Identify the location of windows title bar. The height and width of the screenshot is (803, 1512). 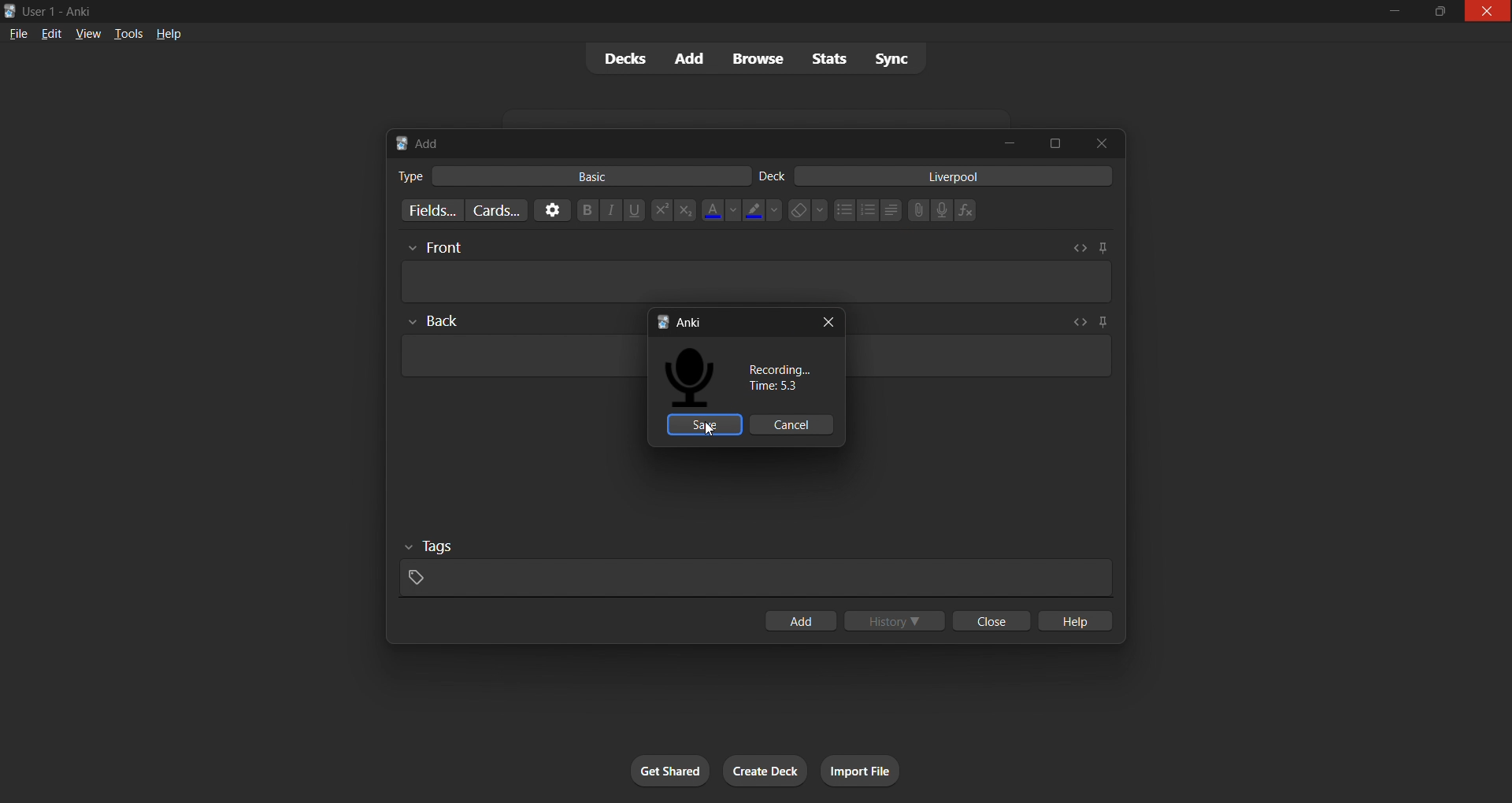
(660, 11).